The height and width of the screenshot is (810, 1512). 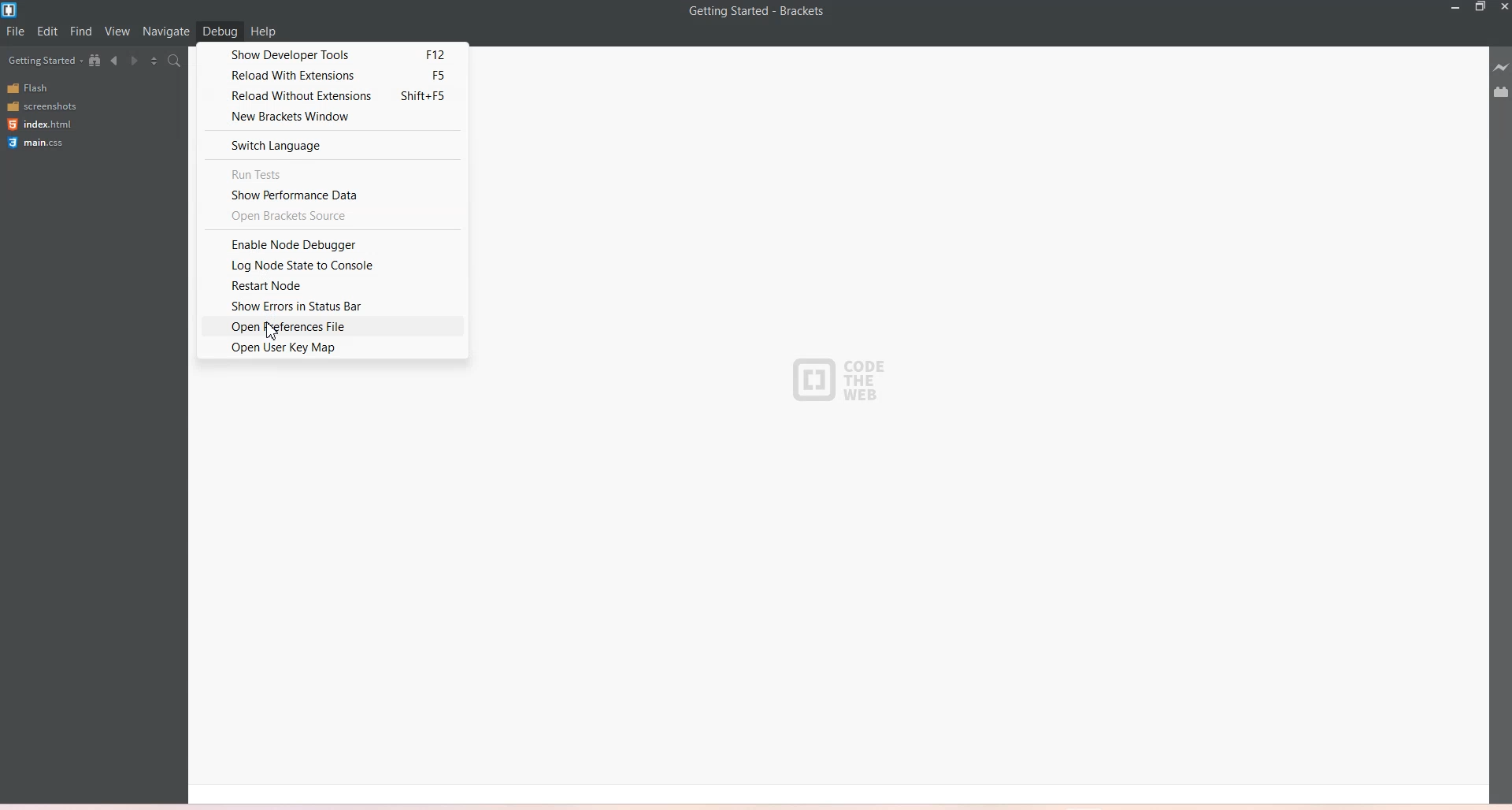 What do you see at coordinates (331, 347) in the screenshot?
I see `Open user keymap` at bounding box center [331, 347].